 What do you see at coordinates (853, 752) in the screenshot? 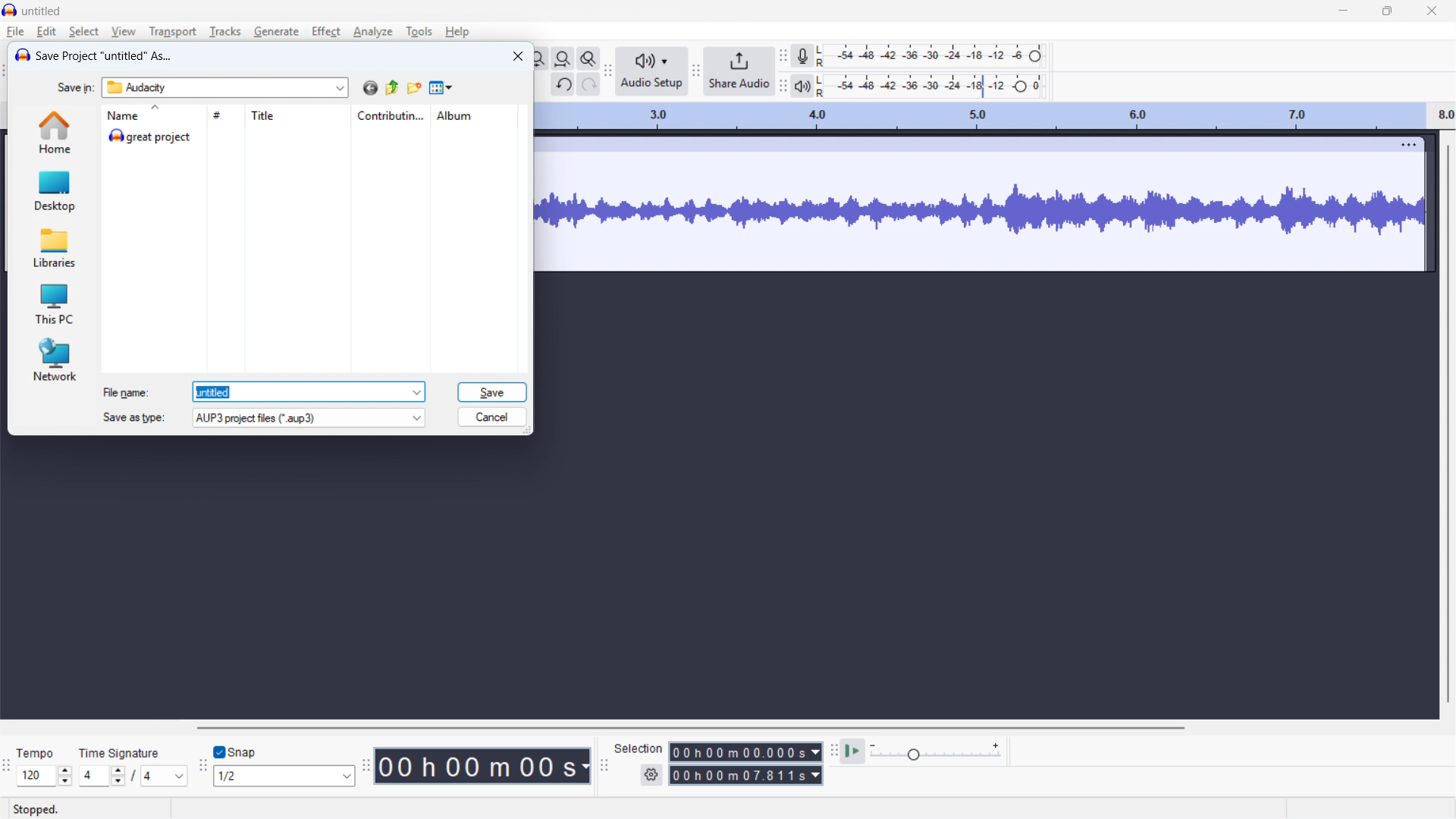
I see `play at speed` at bounding box center [853, 752].